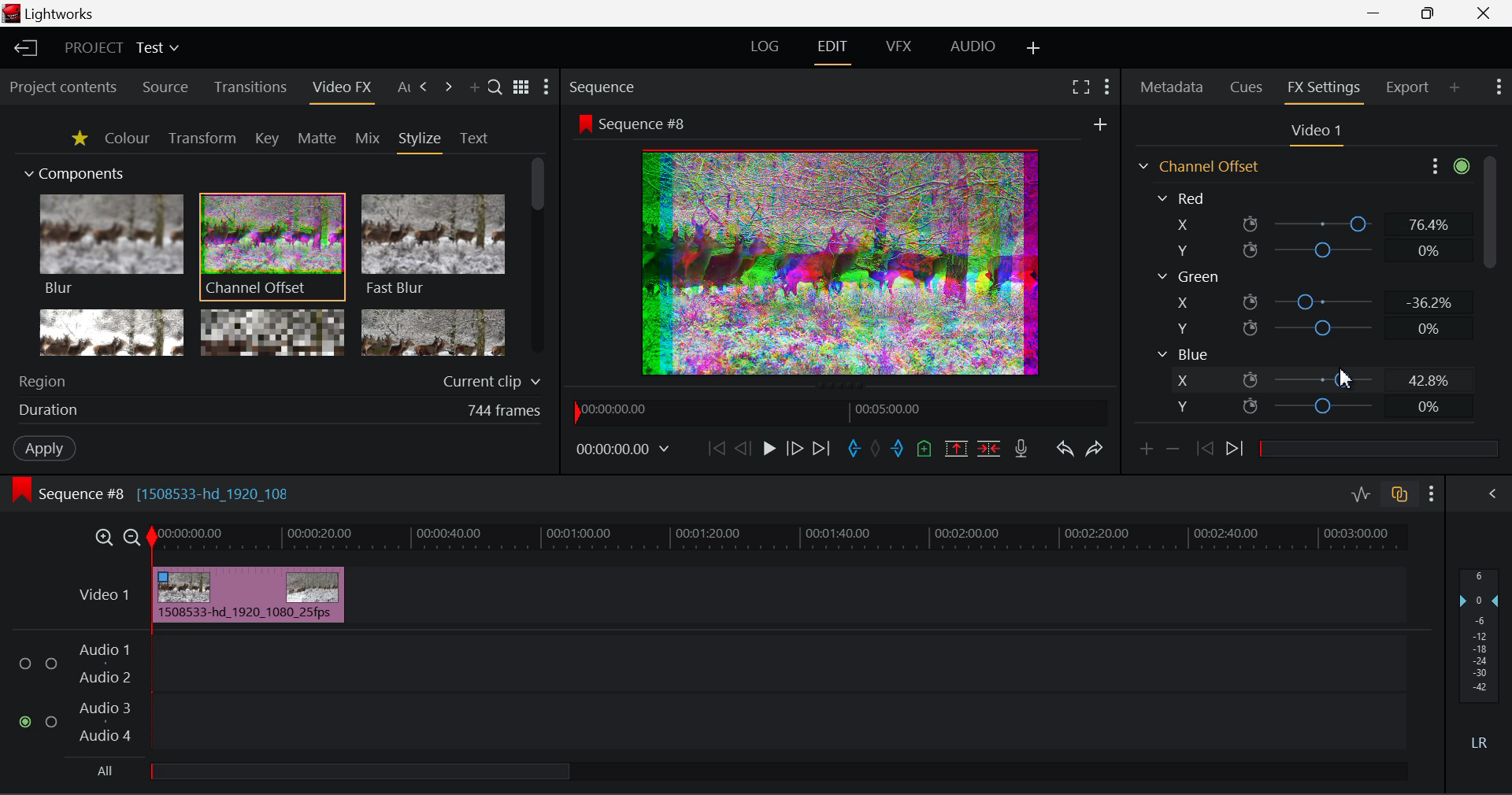 This screenshot has height=795, width=1512. I want to click on Metadata Tab, so click(1170, 87).